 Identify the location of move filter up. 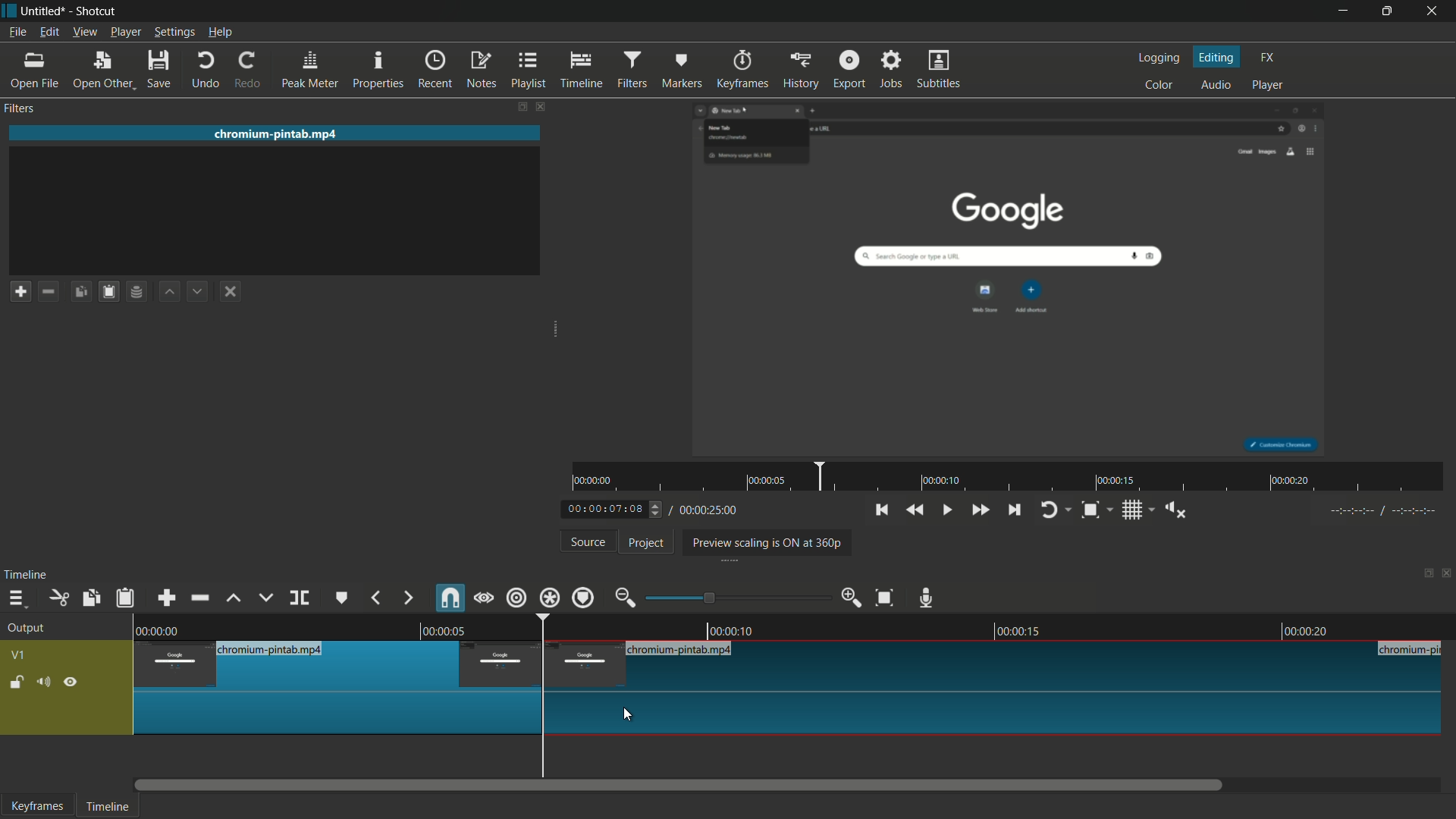
(170, 292).